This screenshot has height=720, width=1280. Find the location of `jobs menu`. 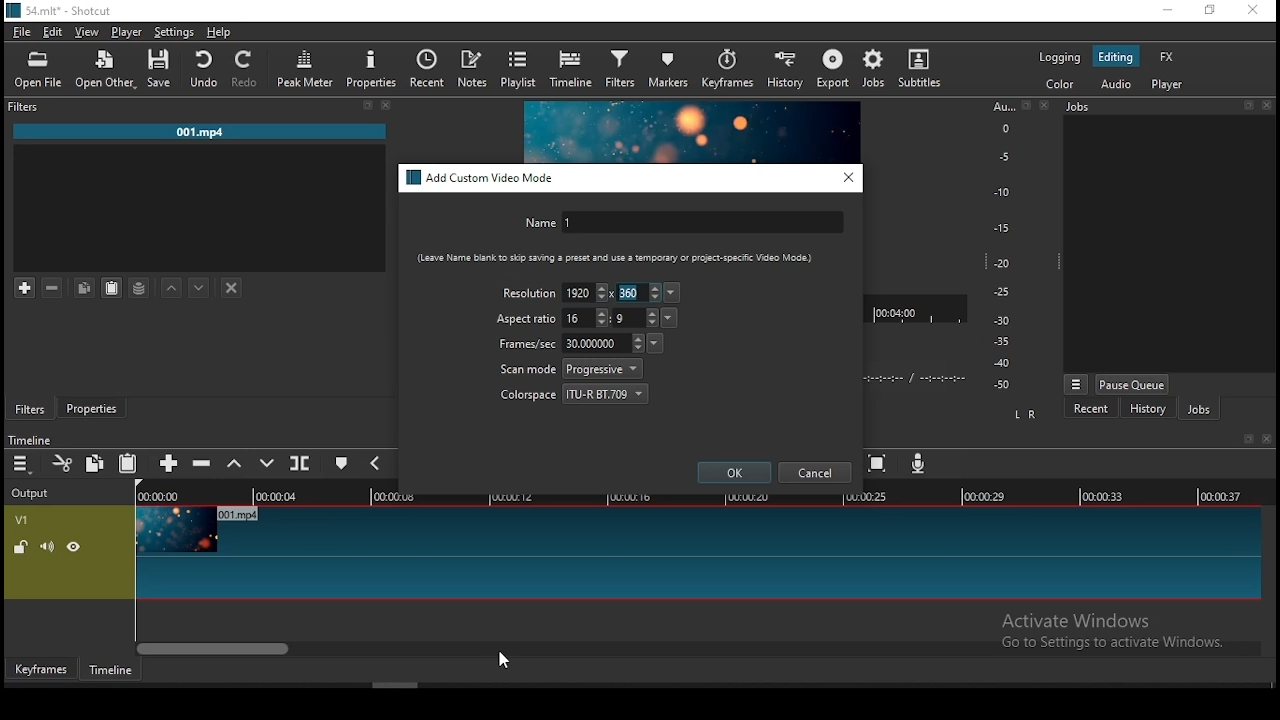

jobs menu is located at coordinates (1077, 386).